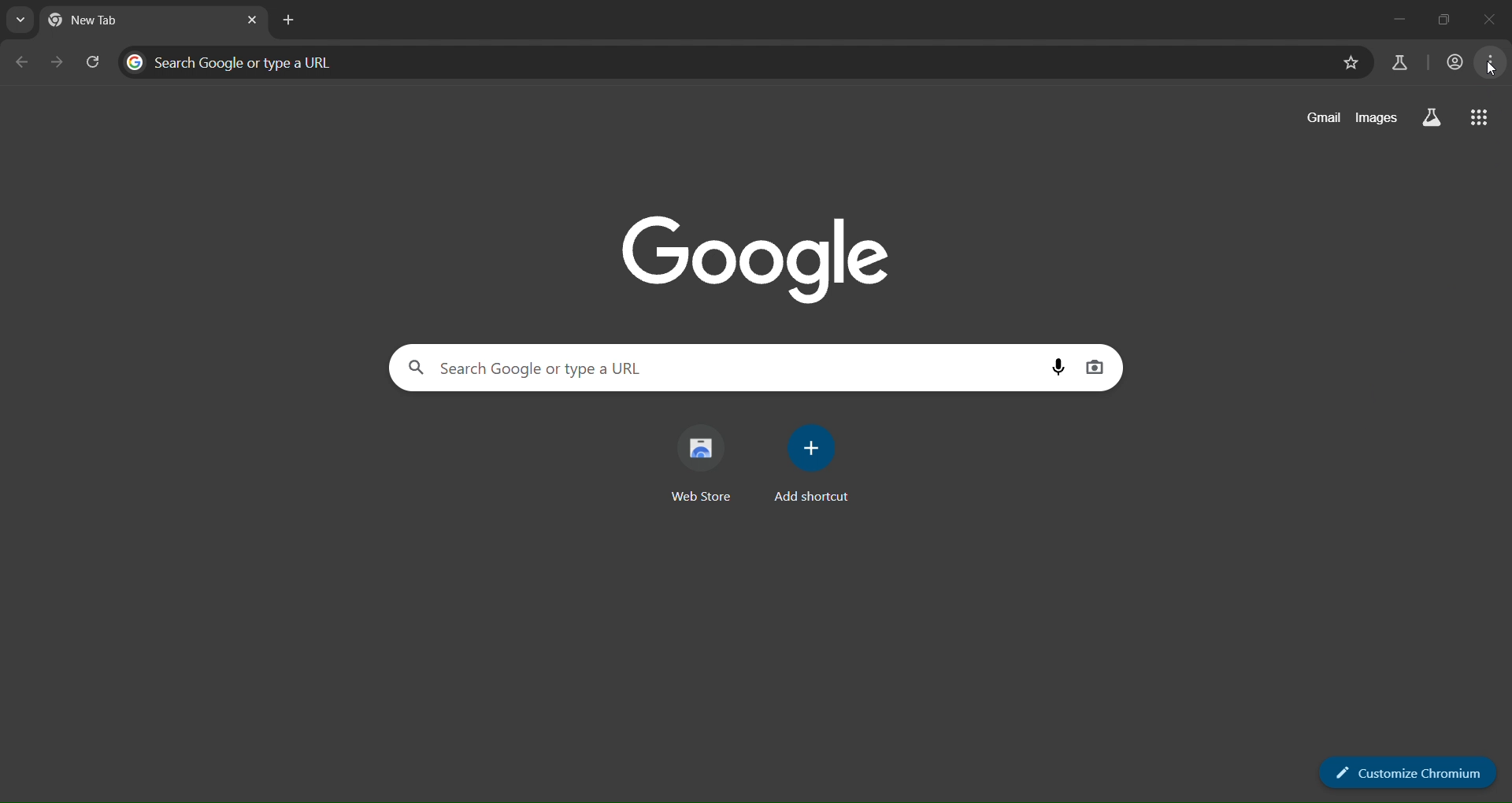  What do you see at coordinates (1095, 367) in the screenshot?
I see `image search` at bounding box center [1095, 367].